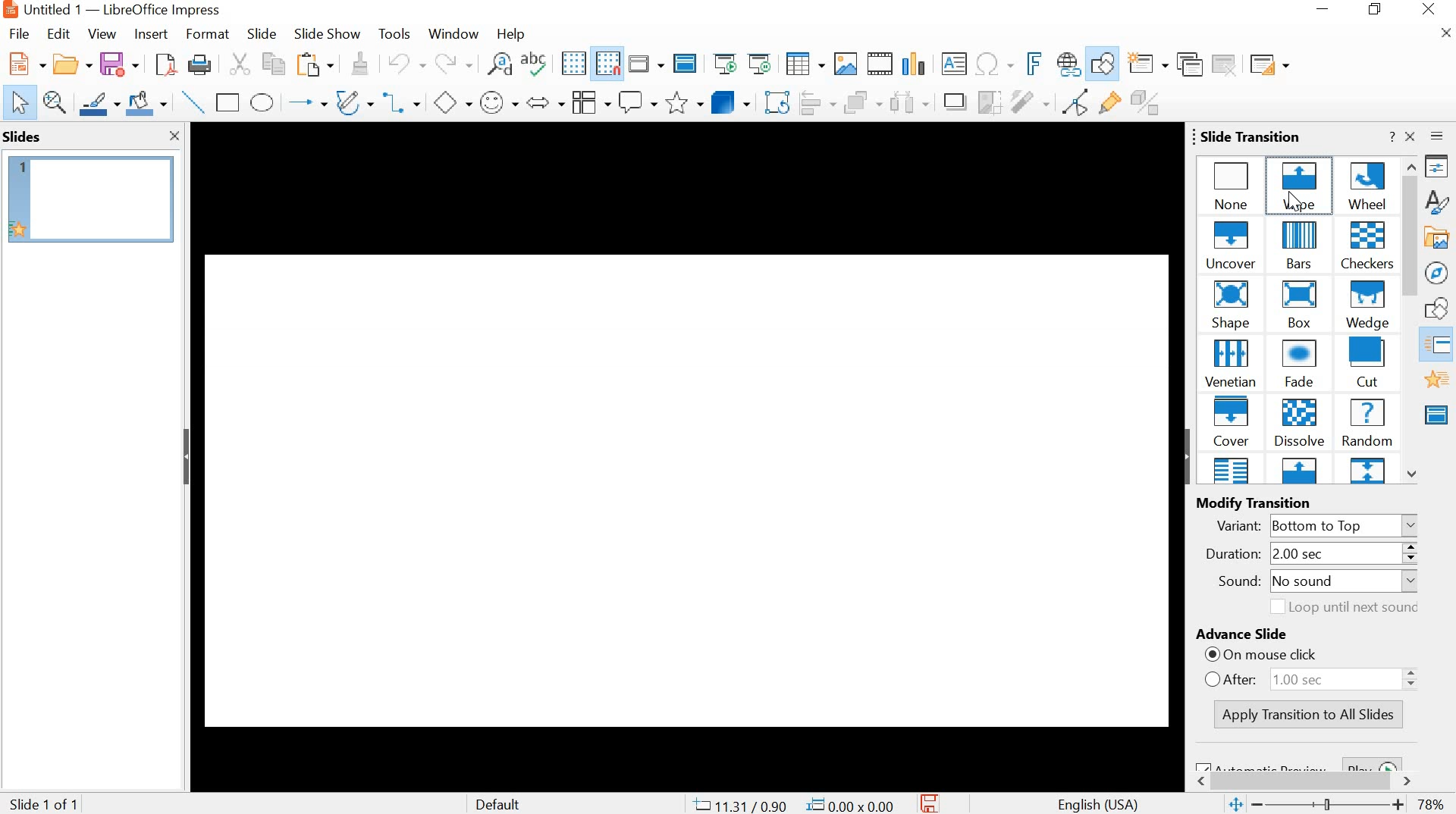 Image resolution: width=1456 pixels, height=814 pixels. What do you see at coordinates (1439, 308) in the screenshot?
I see `SHAPES` at bounding box center [1439, 308].